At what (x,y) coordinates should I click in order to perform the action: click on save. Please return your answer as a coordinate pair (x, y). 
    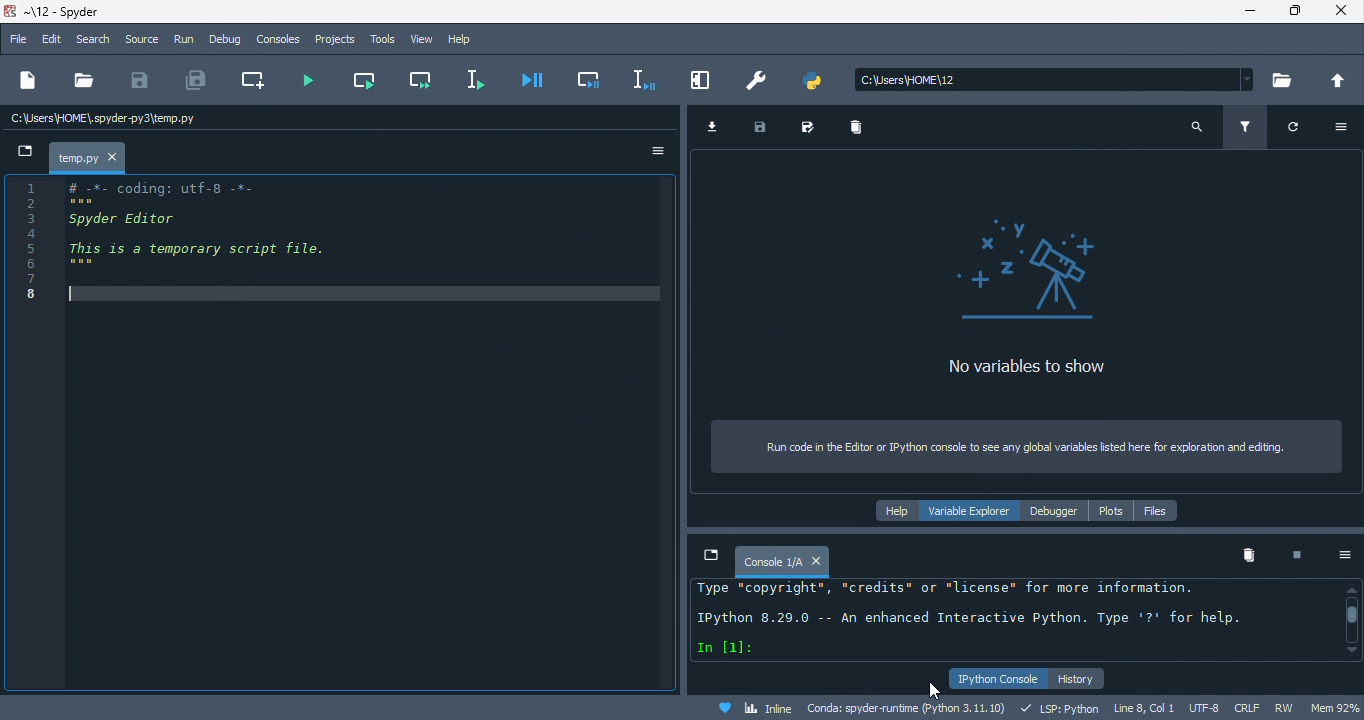
    Looking at the image, I should click on (769, 125).